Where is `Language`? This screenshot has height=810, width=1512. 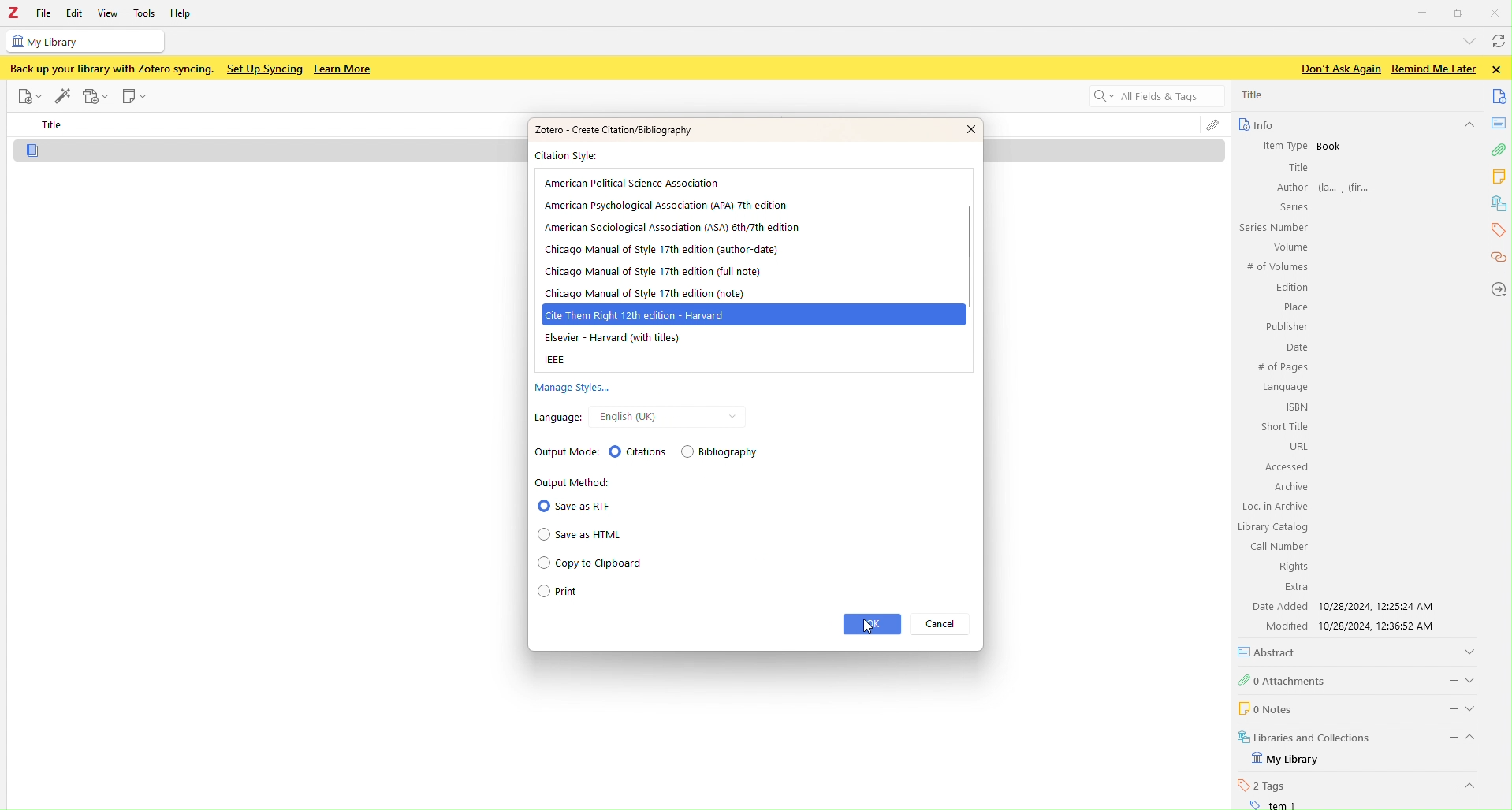 Language is located at coordinates (1285, 388).